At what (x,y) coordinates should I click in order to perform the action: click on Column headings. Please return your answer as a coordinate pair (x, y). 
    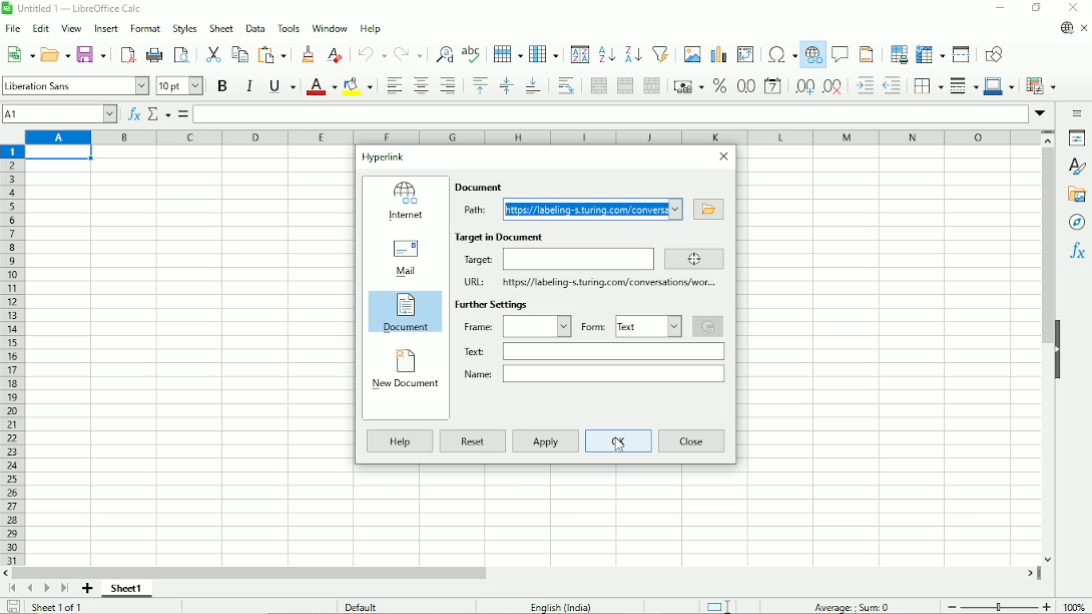
    Looking at the image, I should click on (531, 137).